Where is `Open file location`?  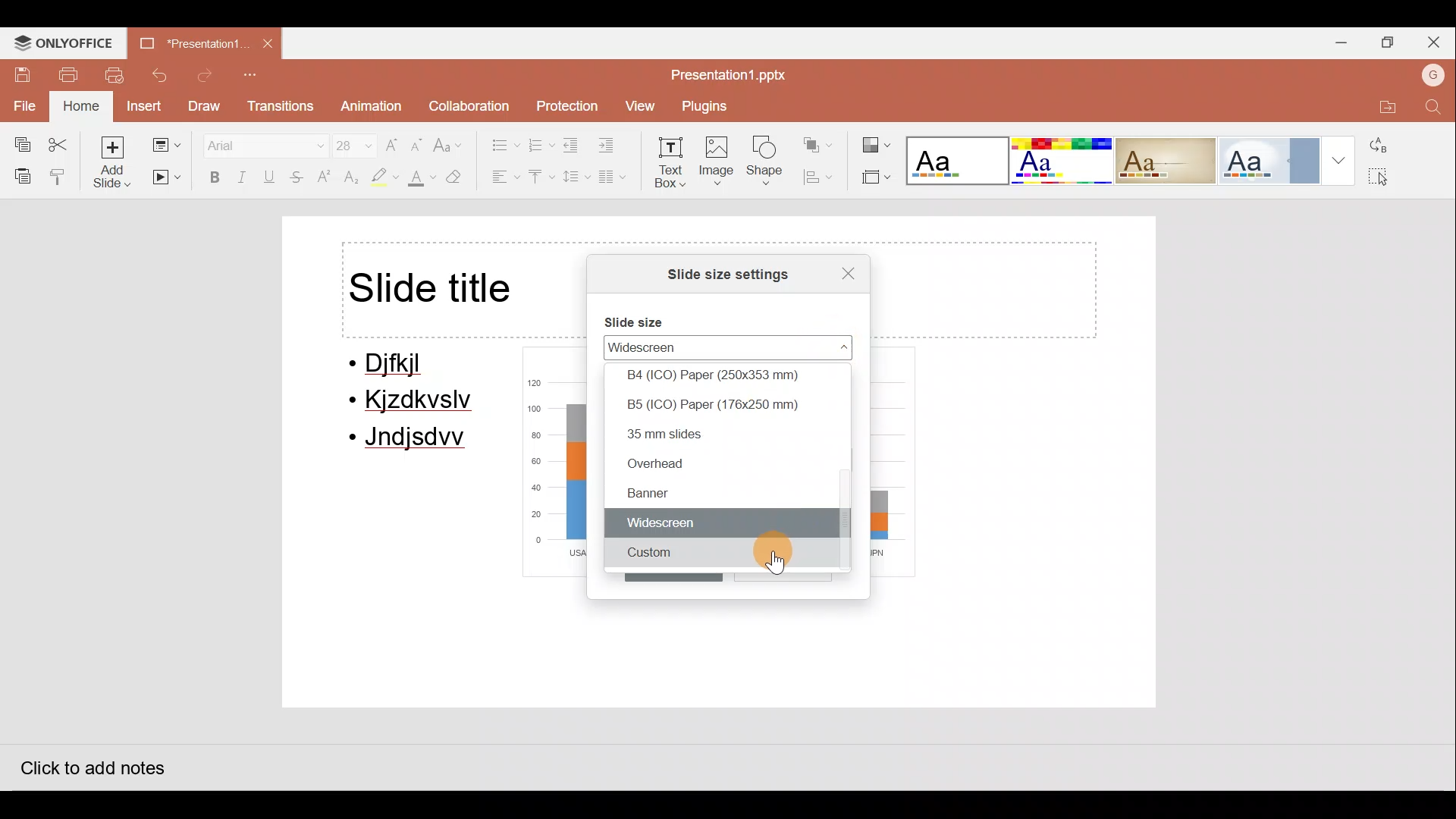 Open file location is located at coordinates (1382, 104).